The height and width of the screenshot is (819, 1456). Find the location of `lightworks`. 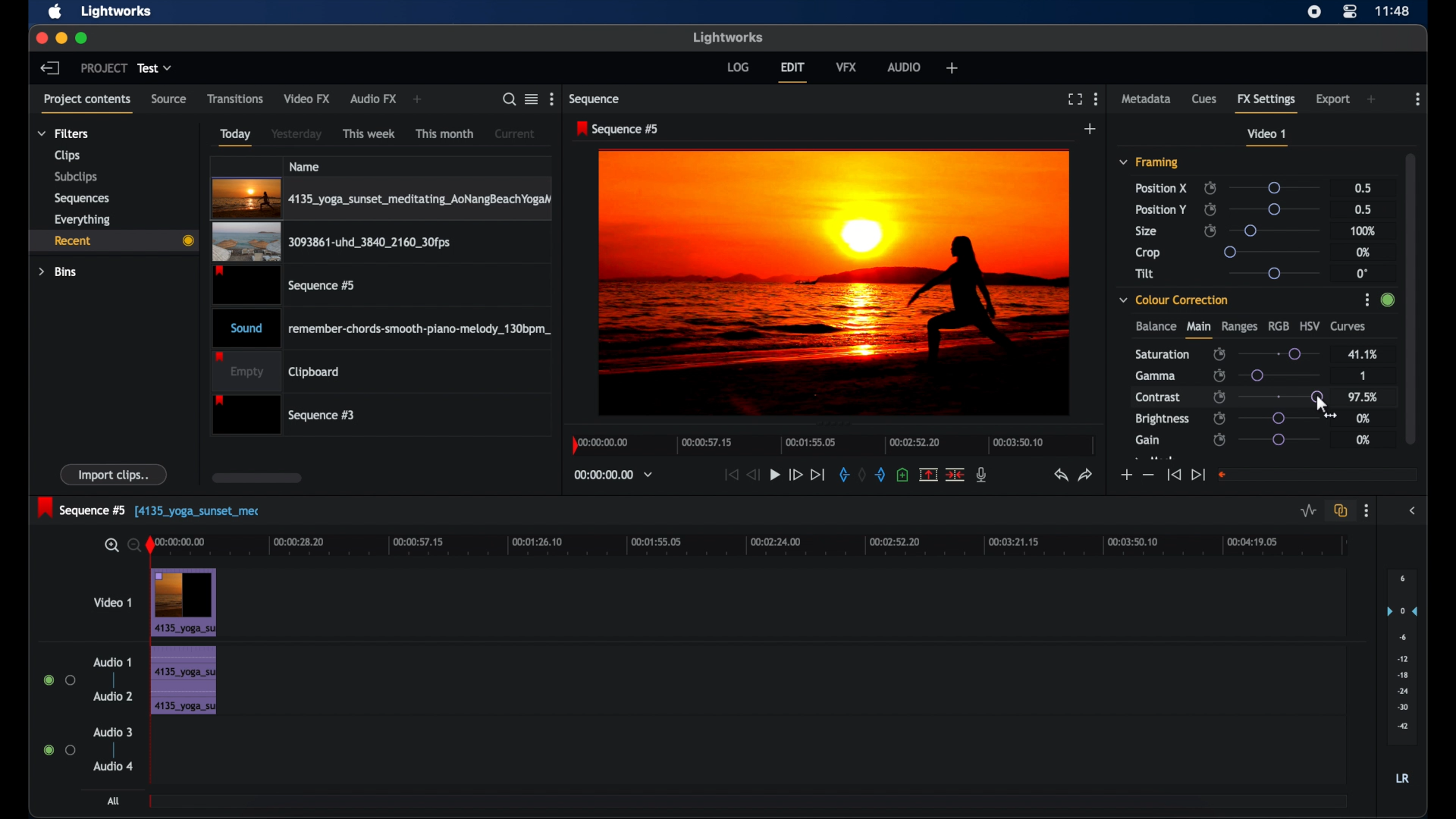

lightworks is located at coordinates (728, 37).